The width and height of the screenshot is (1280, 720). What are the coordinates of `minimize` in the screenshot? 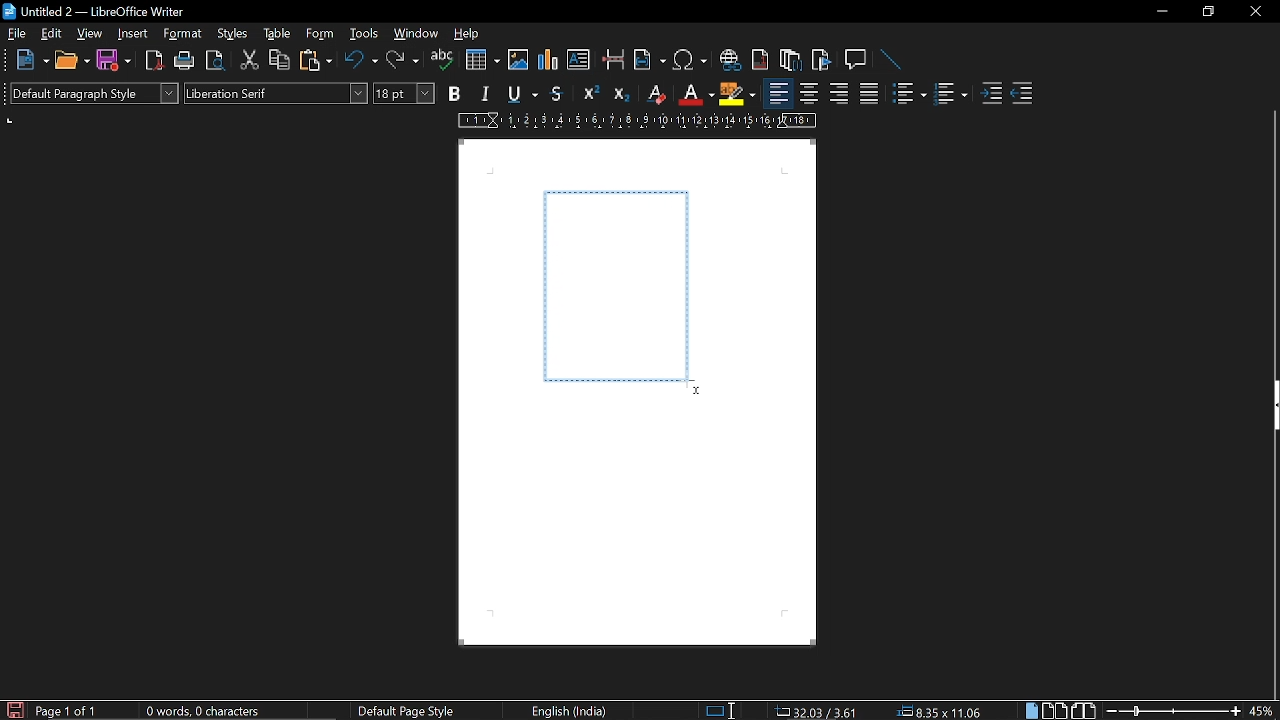 It's located at (1162, 12).